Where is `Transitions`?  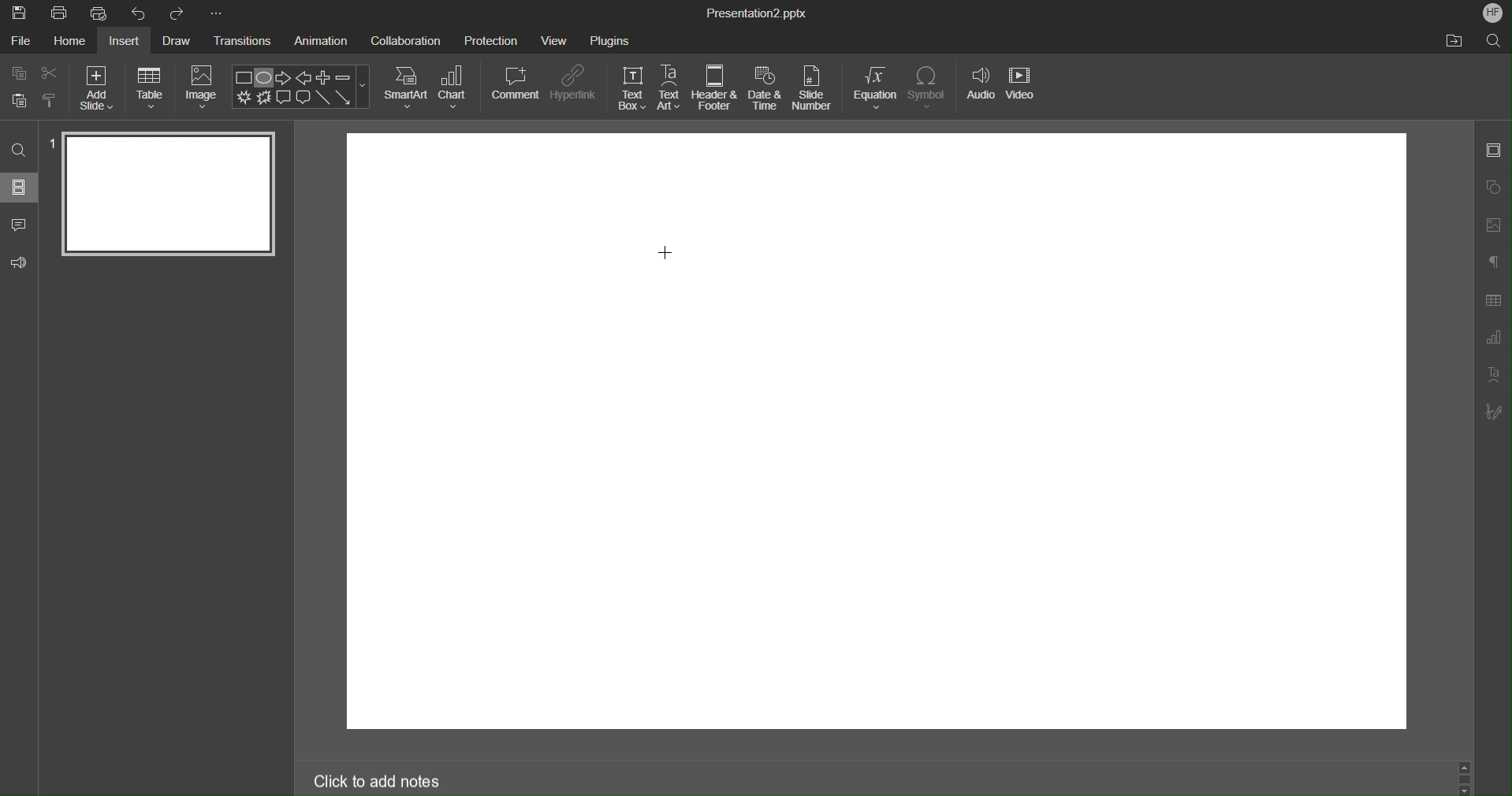
Transitions is located at coordinates (244, 43).